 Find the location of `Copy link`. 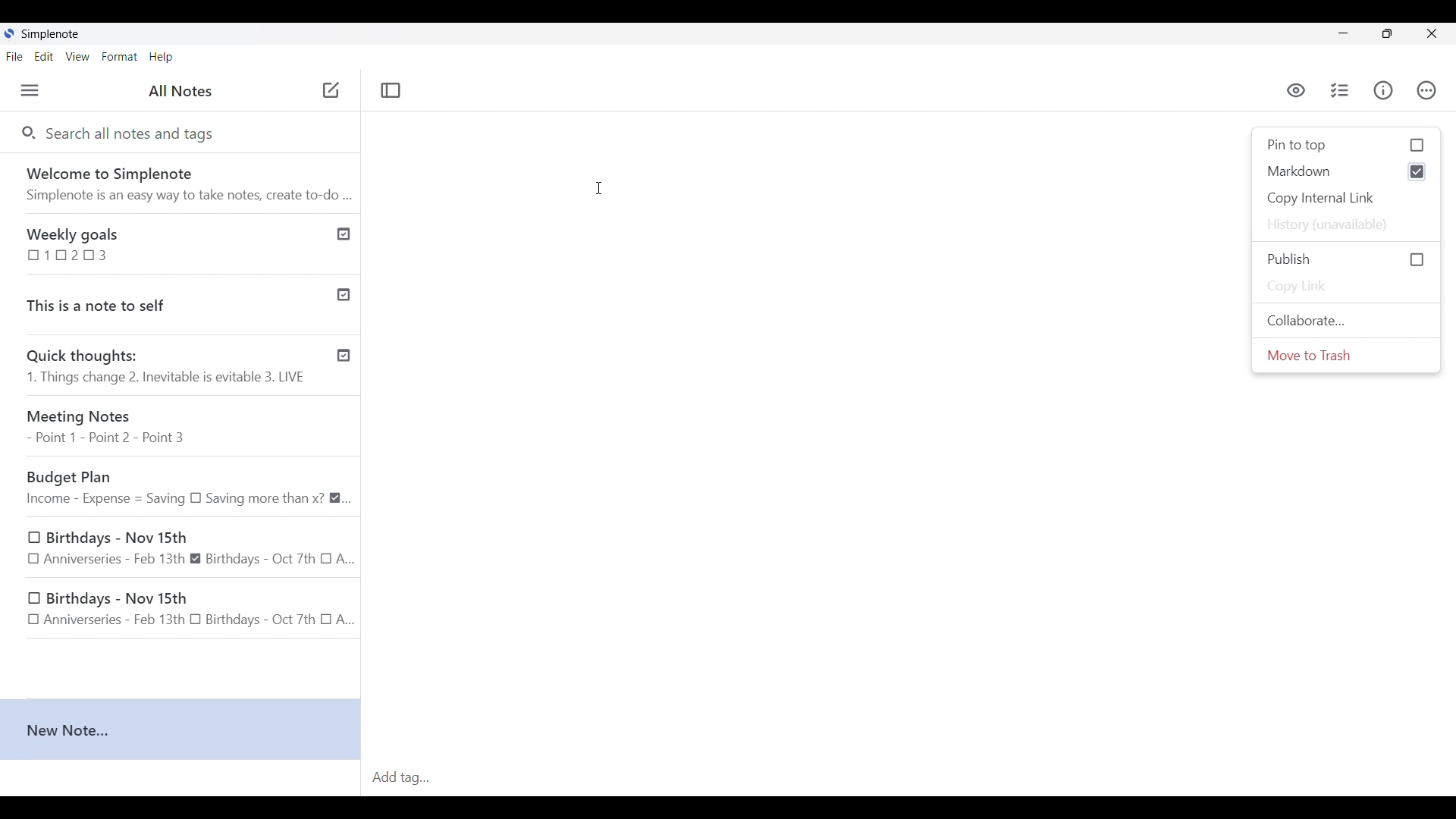

Copy link is located at coordinates (1346, 287).